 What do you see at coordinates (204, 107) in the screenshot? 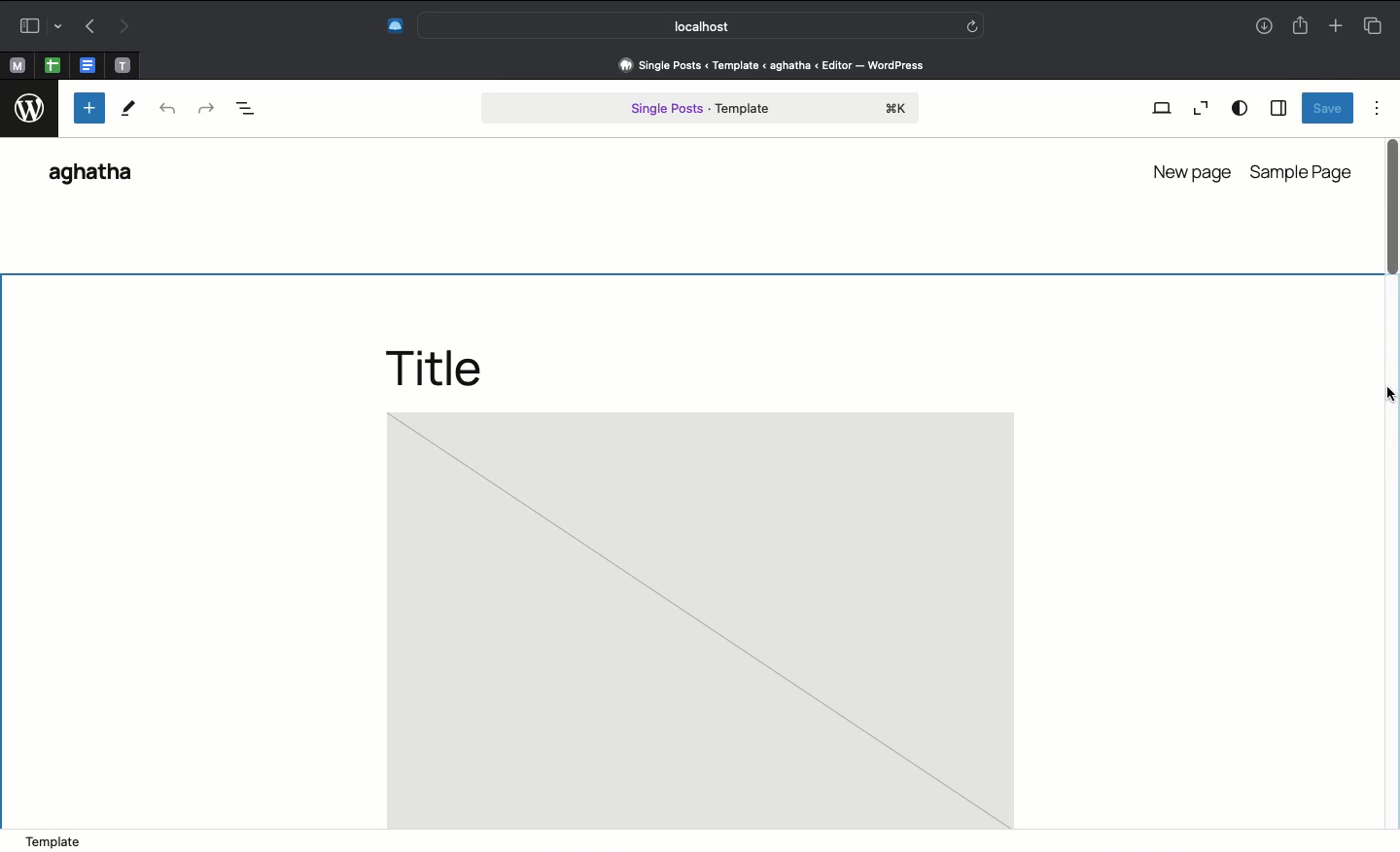
I see `Redo` at bounding box center [204, 107].